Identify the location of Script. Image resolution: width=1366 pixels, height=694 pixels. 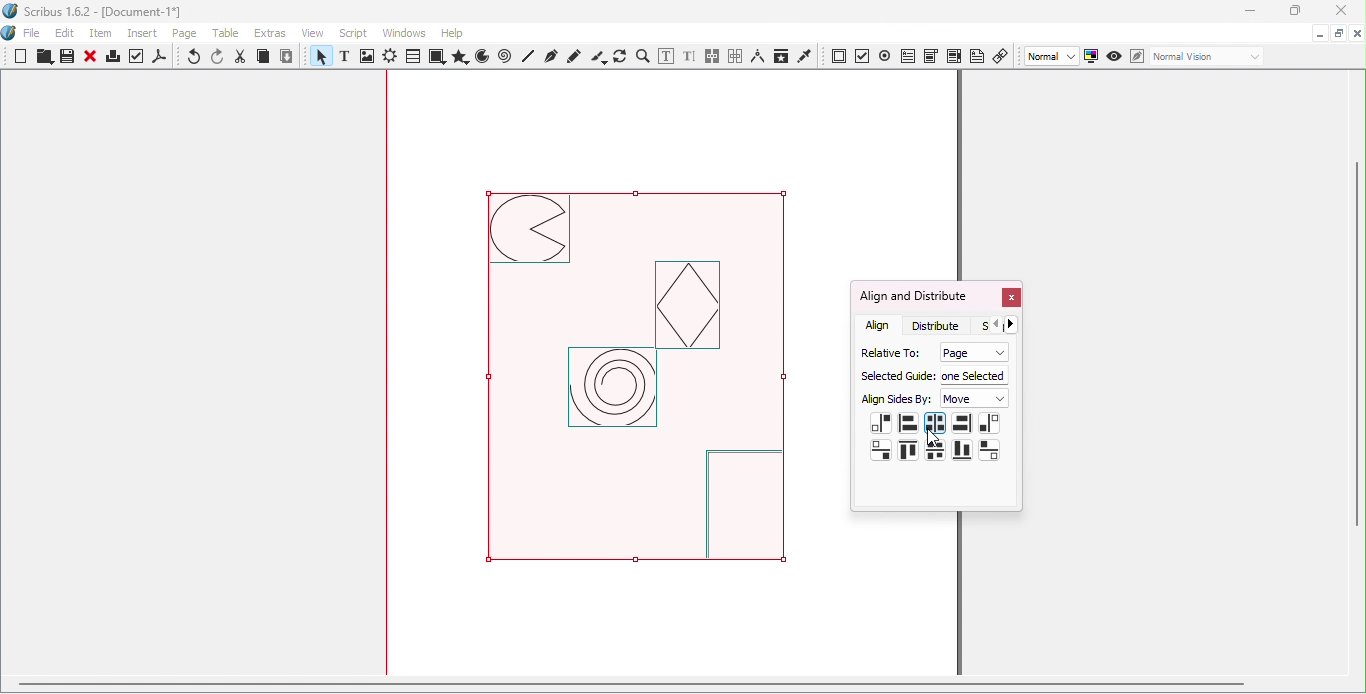
(356, 32).